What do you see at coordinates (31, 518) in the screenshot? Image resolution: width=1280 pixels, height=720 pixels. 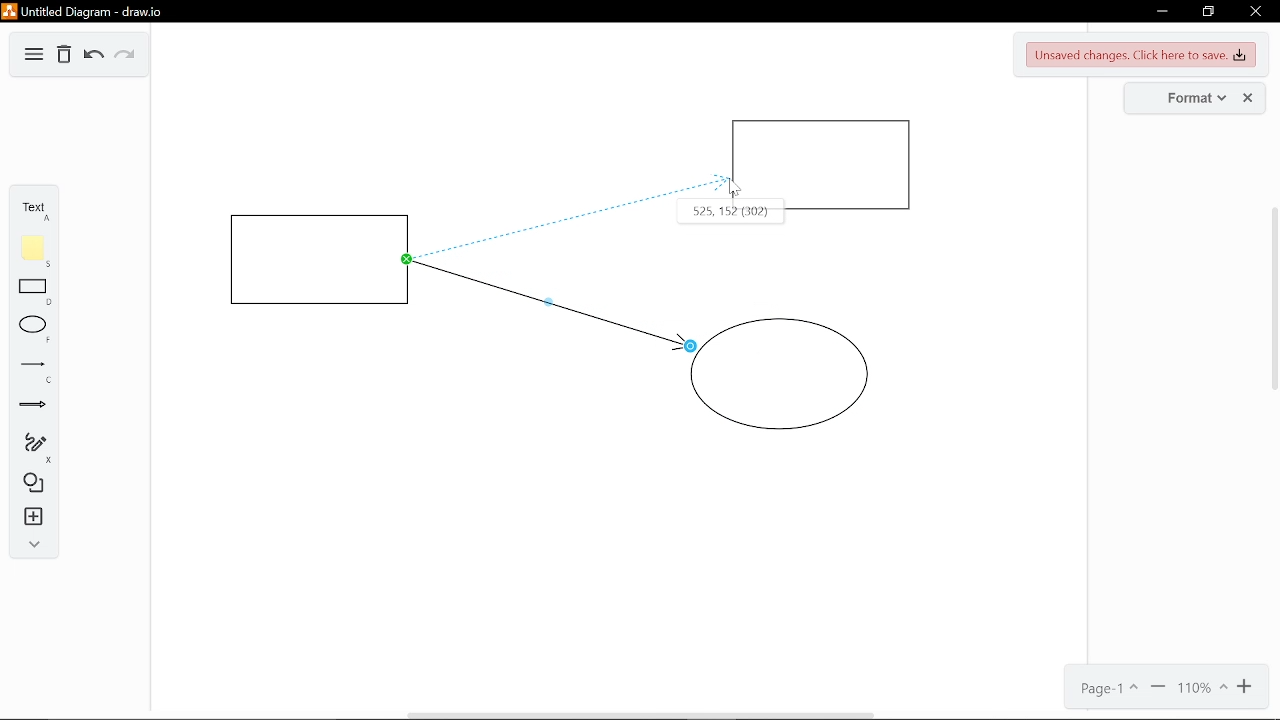 I see `Insert` at bounding box center [31, 518].